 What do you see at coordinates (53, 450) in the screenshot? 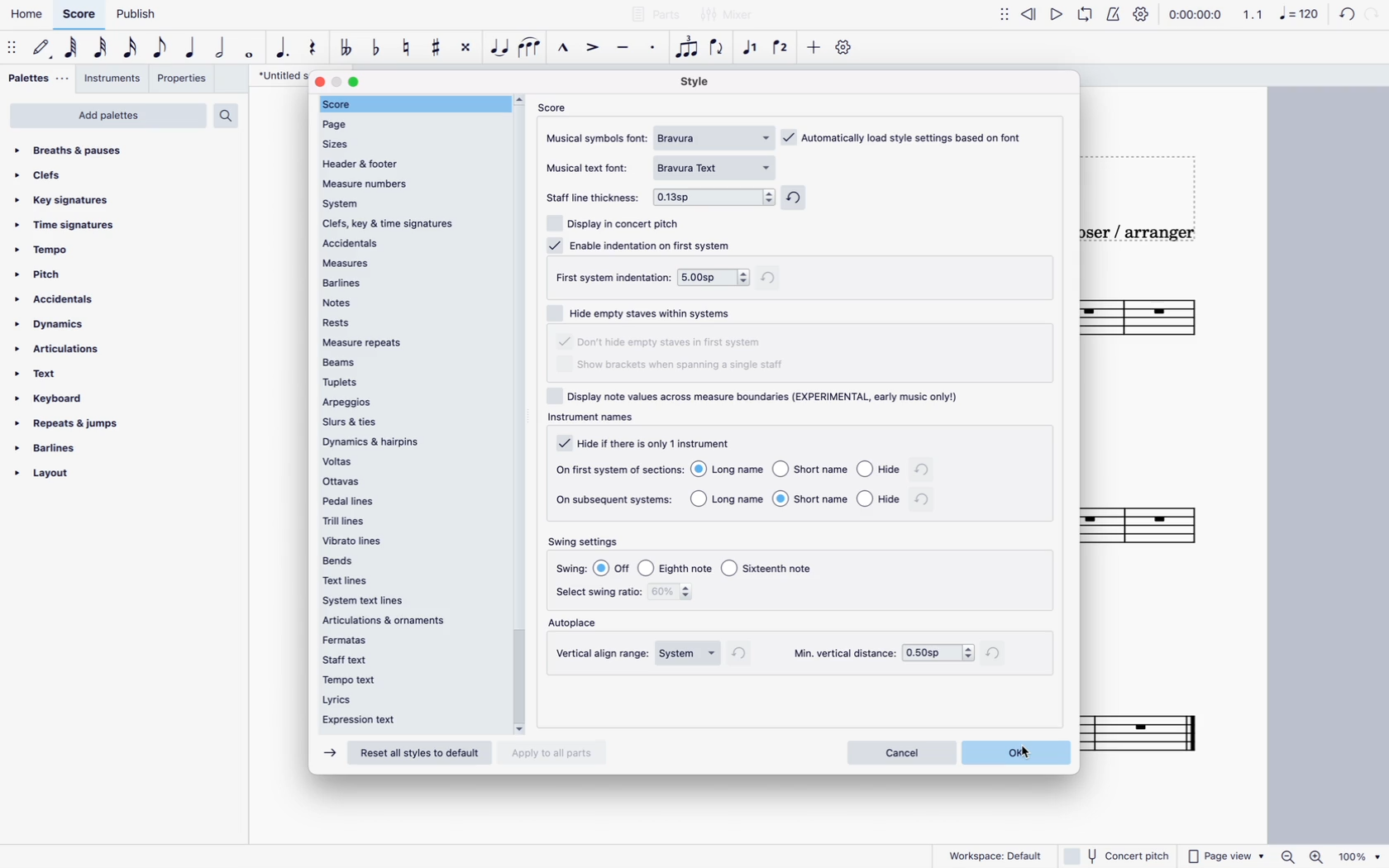
I see `barlines` at bounding box center [53, 450].